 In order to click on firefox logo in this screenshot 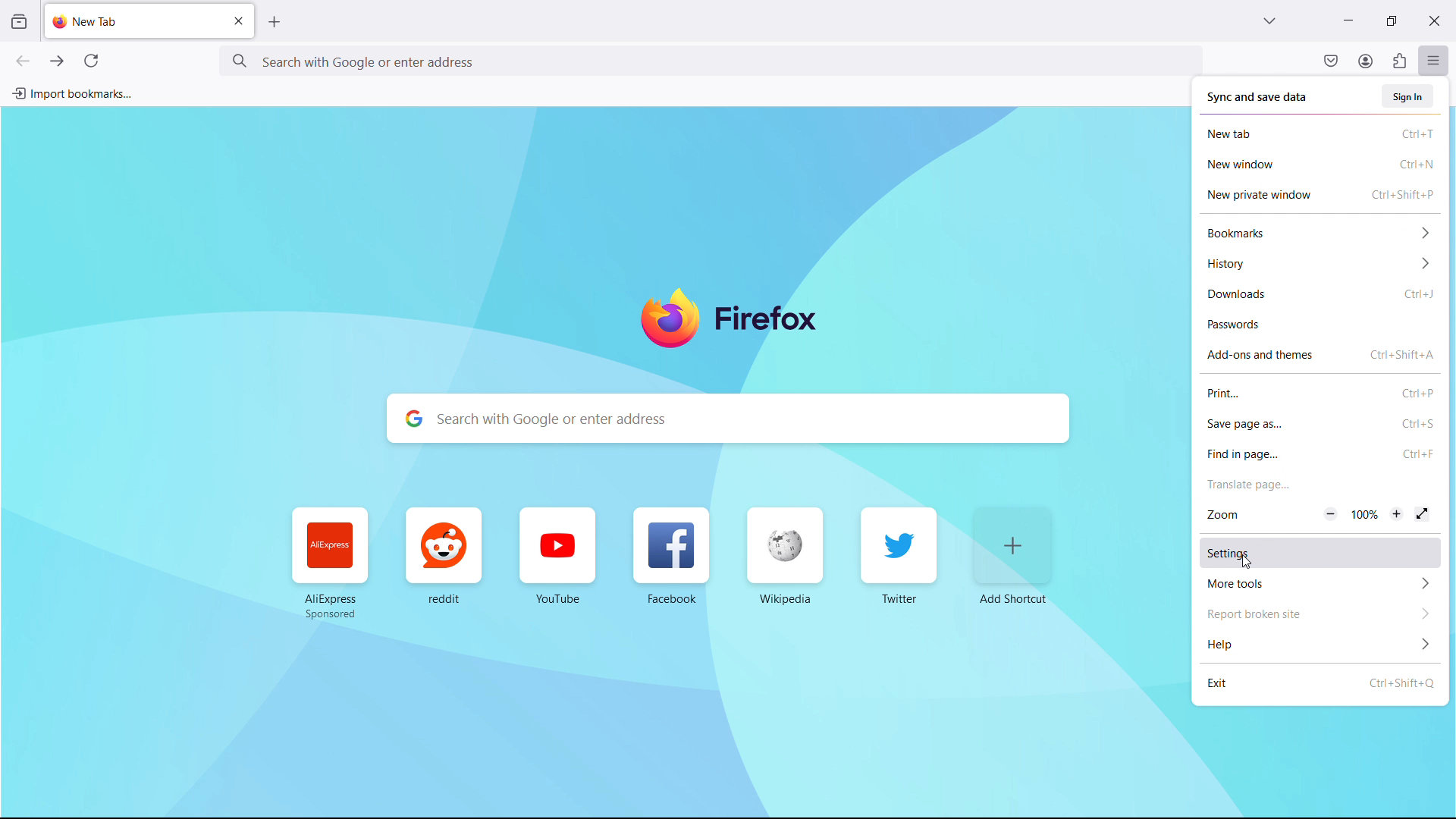, I will do `click(730, 322)`.